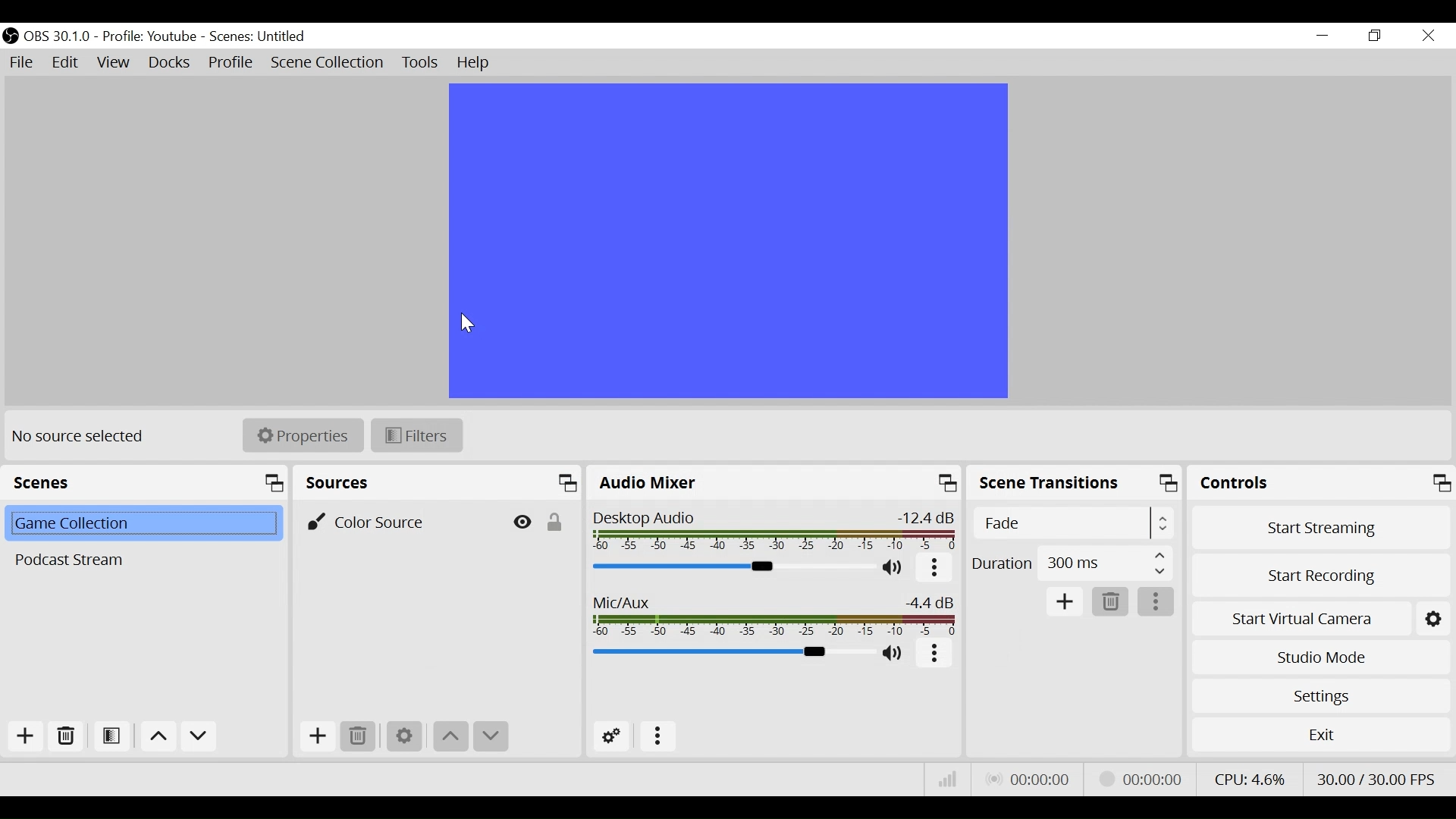 The width and height of the screenshot is (1456, 819). Describe the element at coordinates (1319, 574) in the screenshot. I see `Start Recording` at that location.